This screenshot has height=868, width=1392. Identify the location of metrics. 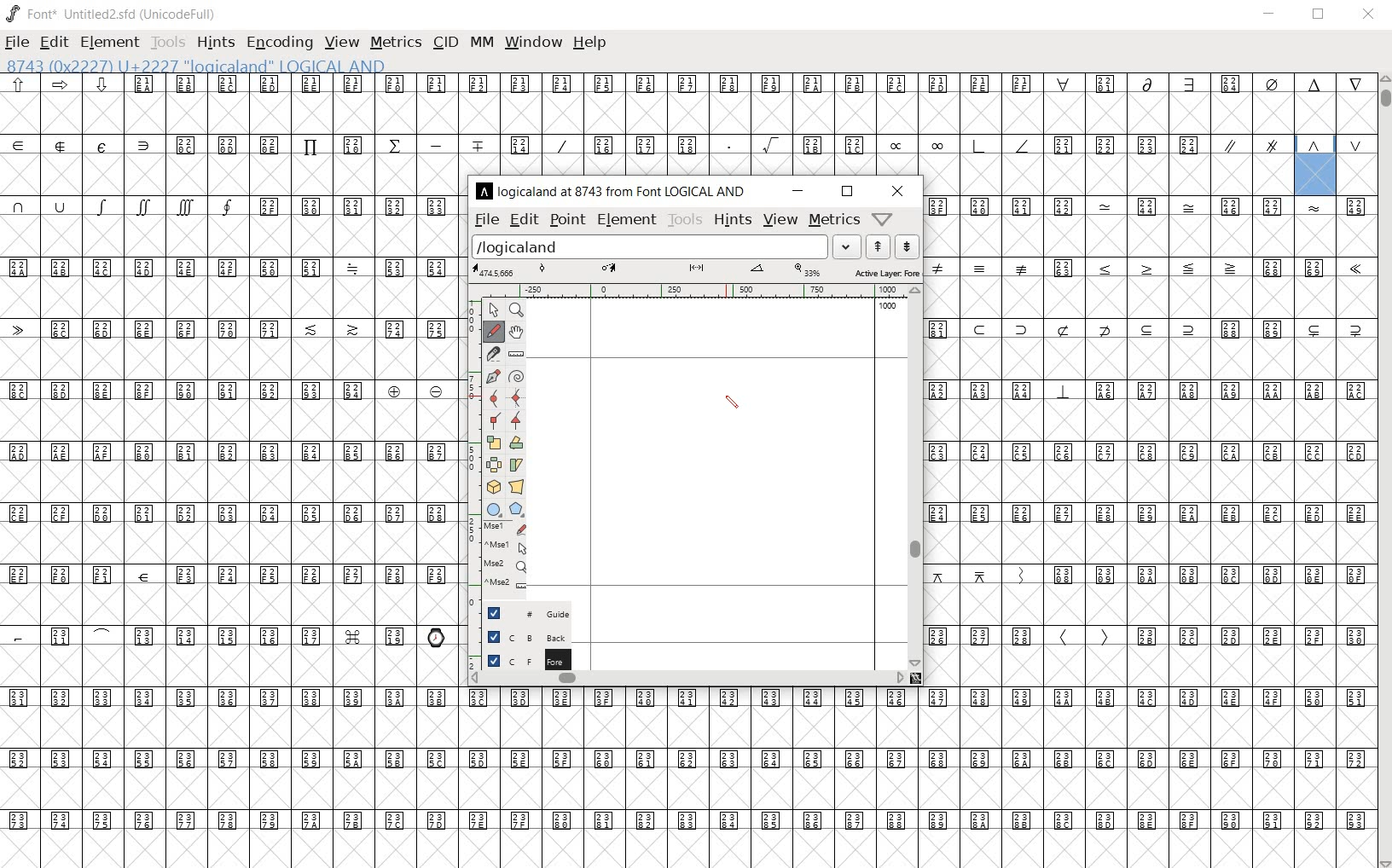
(834, 219).